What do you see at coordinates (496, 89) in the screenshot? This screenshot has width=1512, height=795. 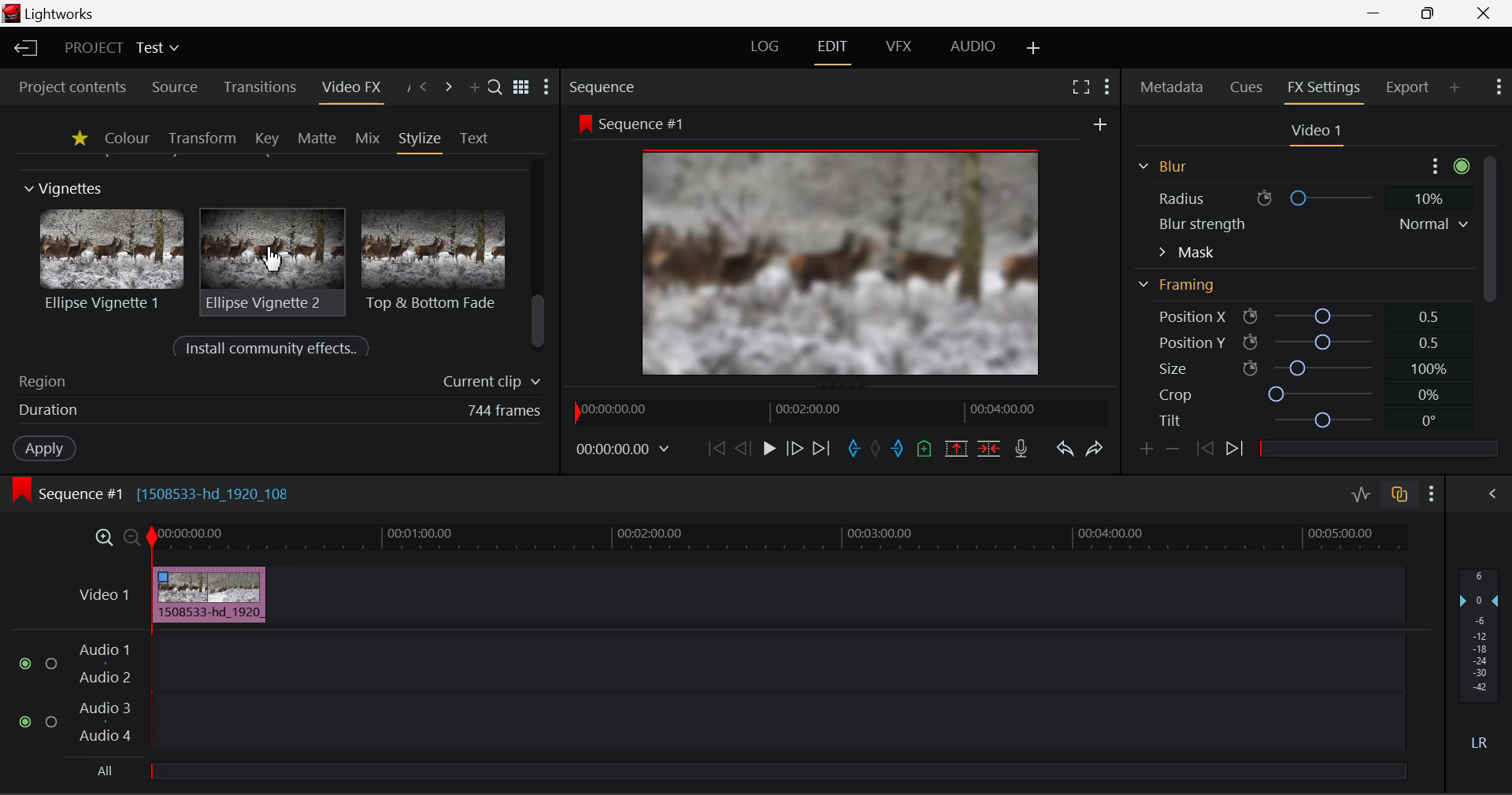 I see `Search` at bounding box center [496, 89].